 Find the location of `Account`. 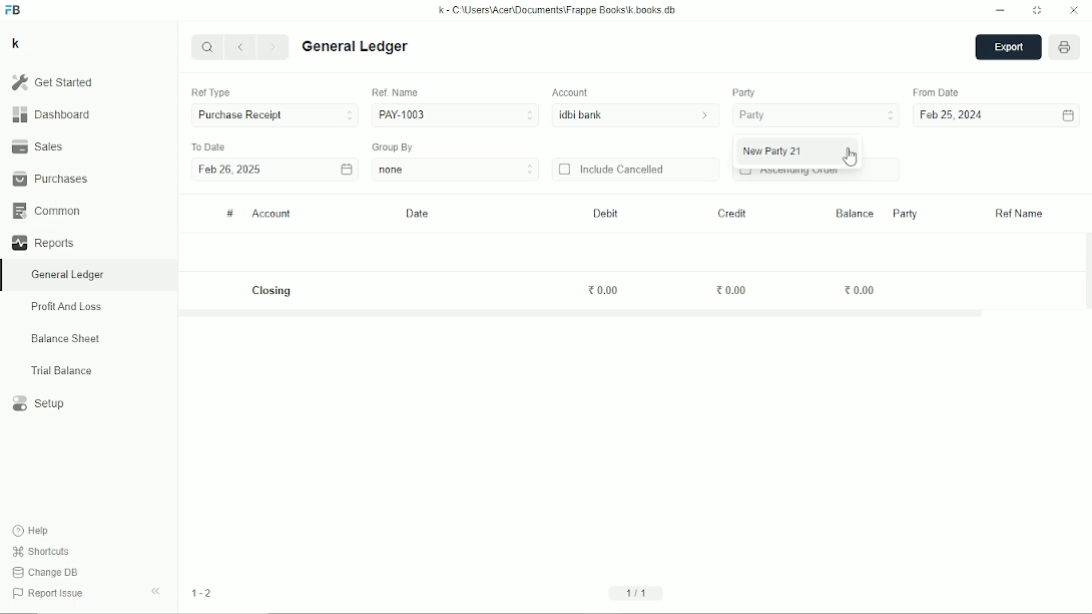

Account is located at coordinates (272, 214).